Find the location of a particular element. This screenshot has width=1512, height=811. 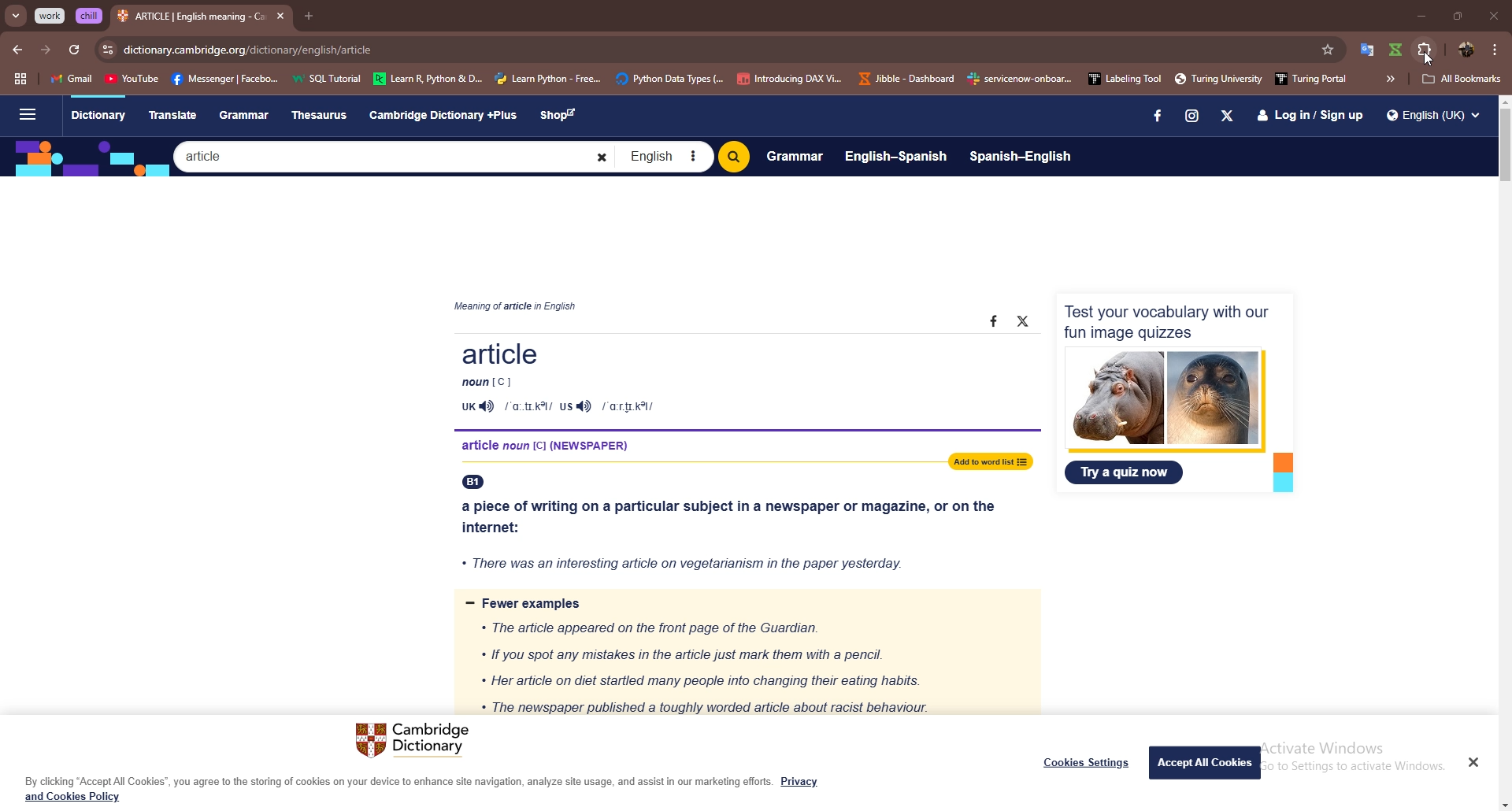

Sidebar is located at coordinates (26, 116).